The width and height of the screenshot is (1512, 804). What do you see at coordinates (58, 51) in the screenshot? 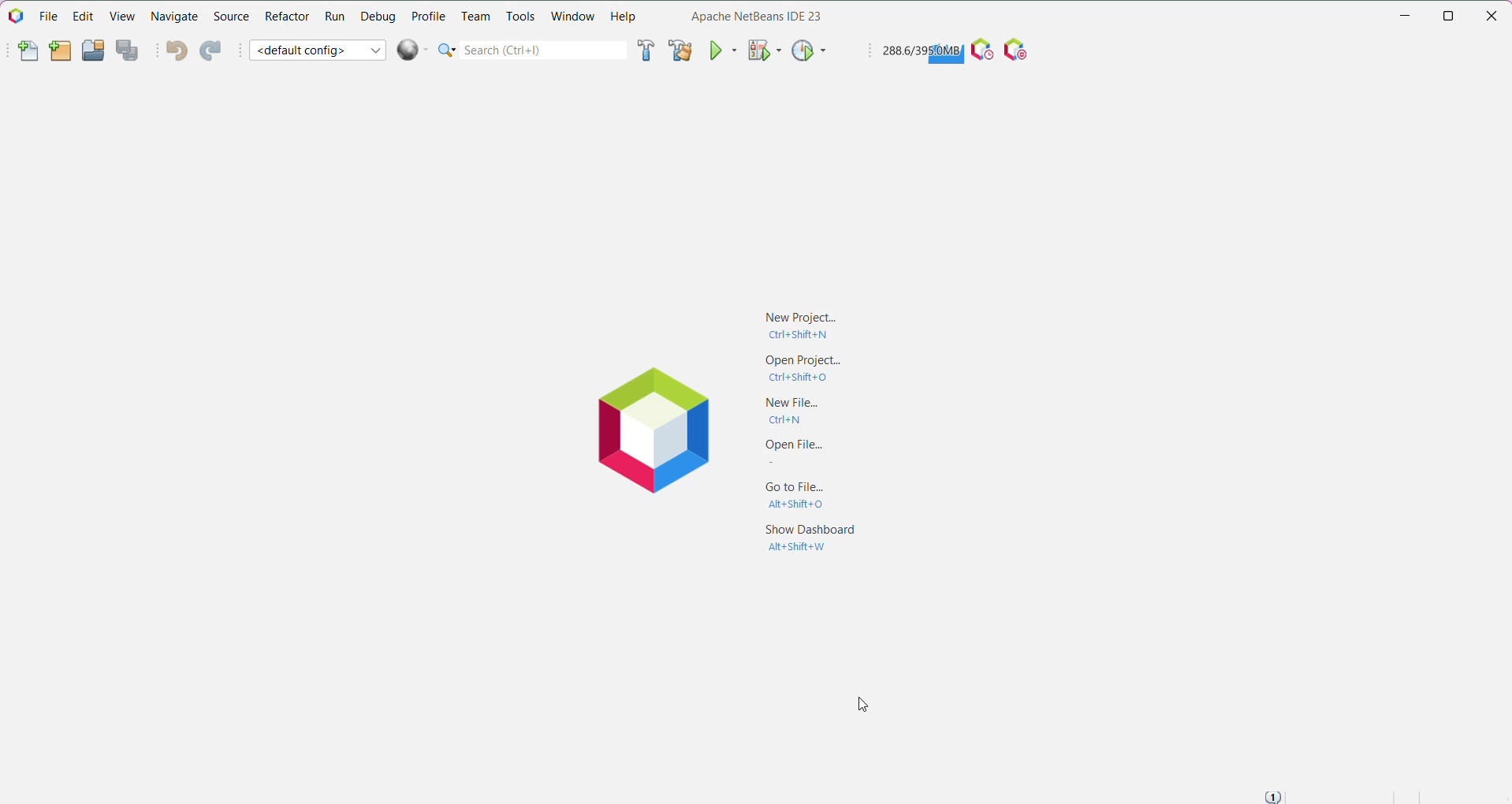
I see `New Project` at bounding box center [58, 51].